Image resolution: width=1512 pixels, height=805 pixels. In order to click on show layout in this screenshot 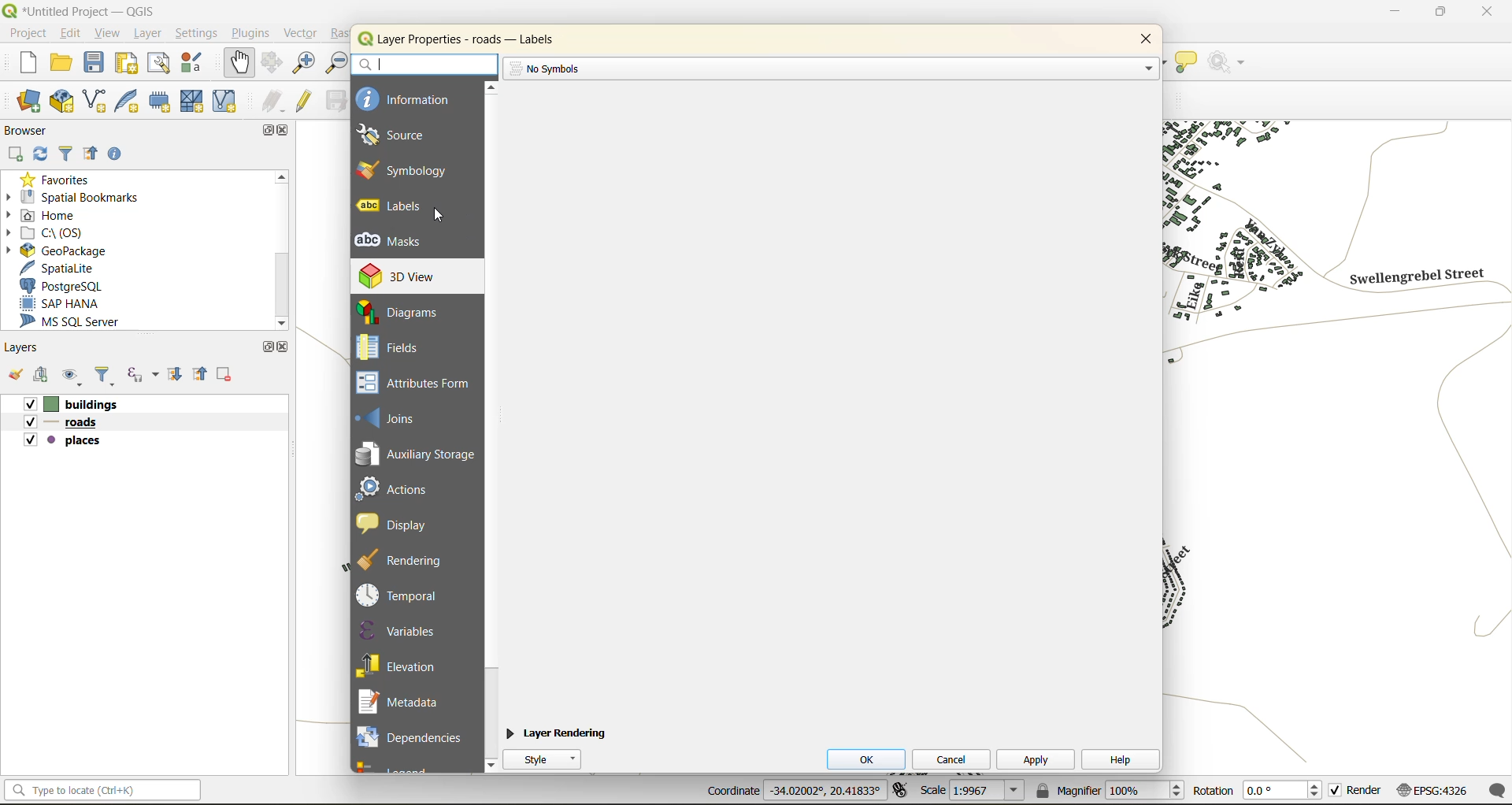, I will do `click(157, 63)`.